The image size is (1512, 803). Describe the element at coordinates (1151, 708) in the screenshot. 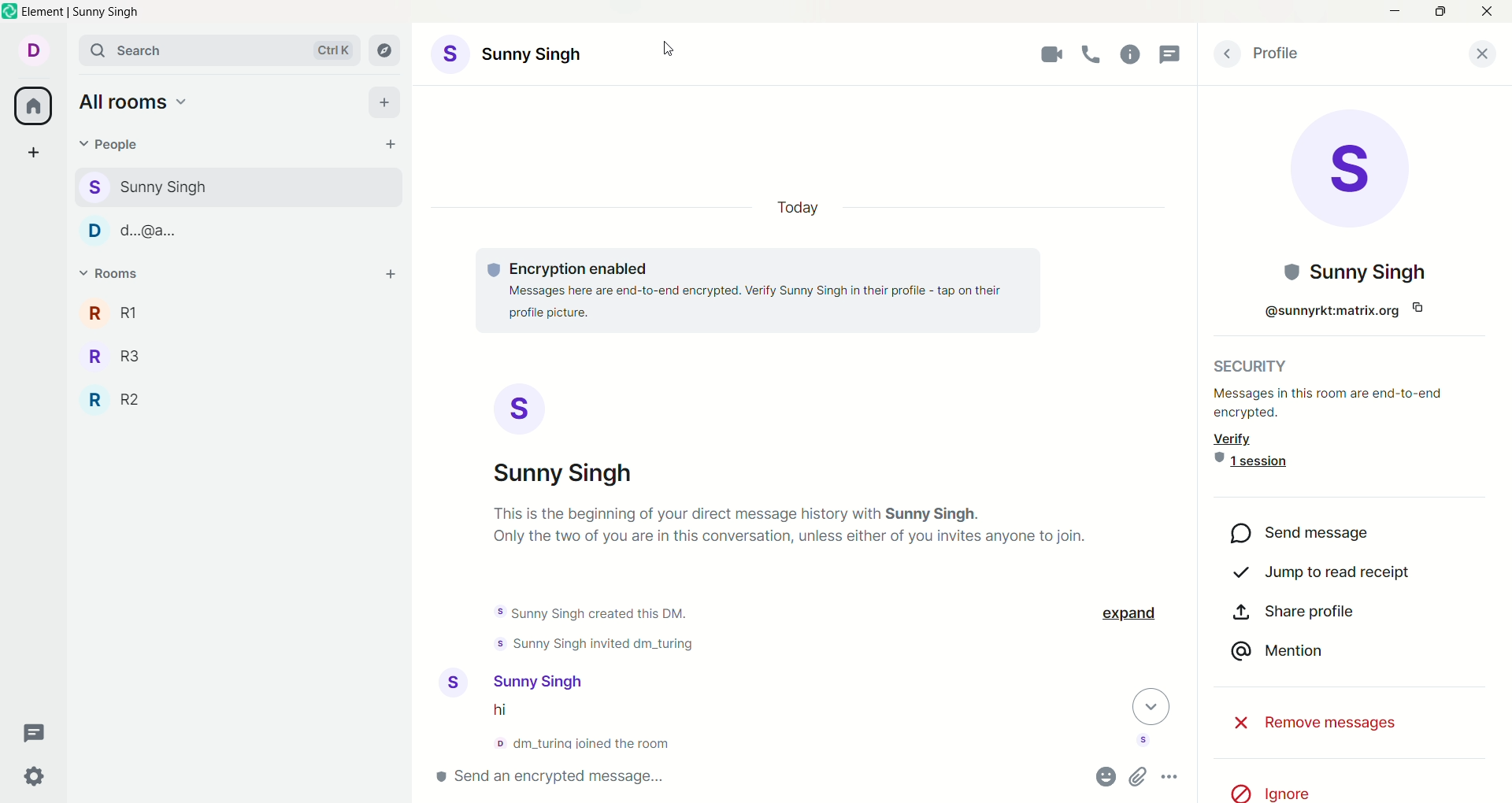

I see `Move Down` at that location.